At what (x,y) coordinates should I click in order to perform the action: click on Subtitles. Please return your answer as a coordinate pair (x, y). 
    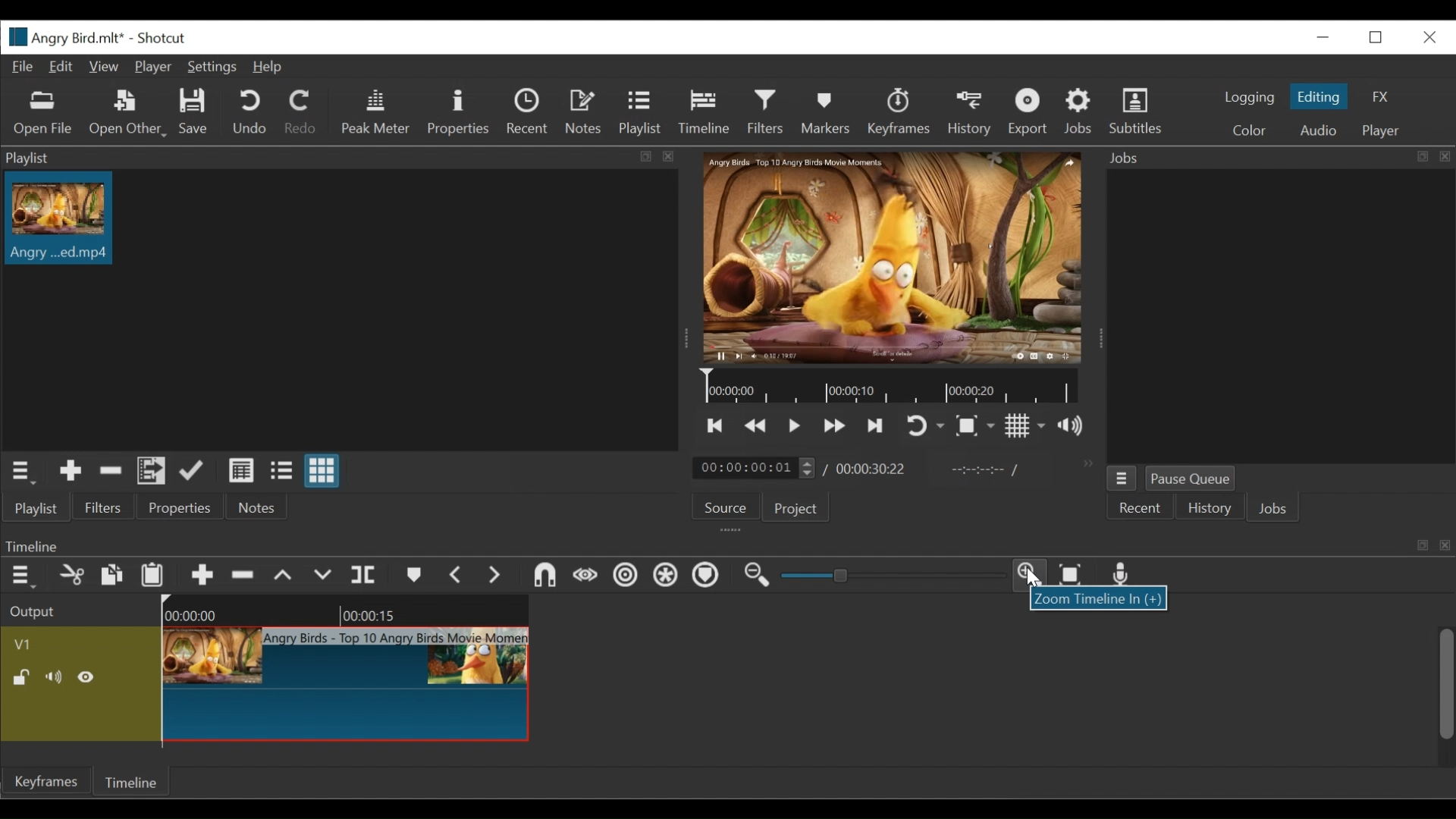
    Looking at the image, I should click on (1140, 114).